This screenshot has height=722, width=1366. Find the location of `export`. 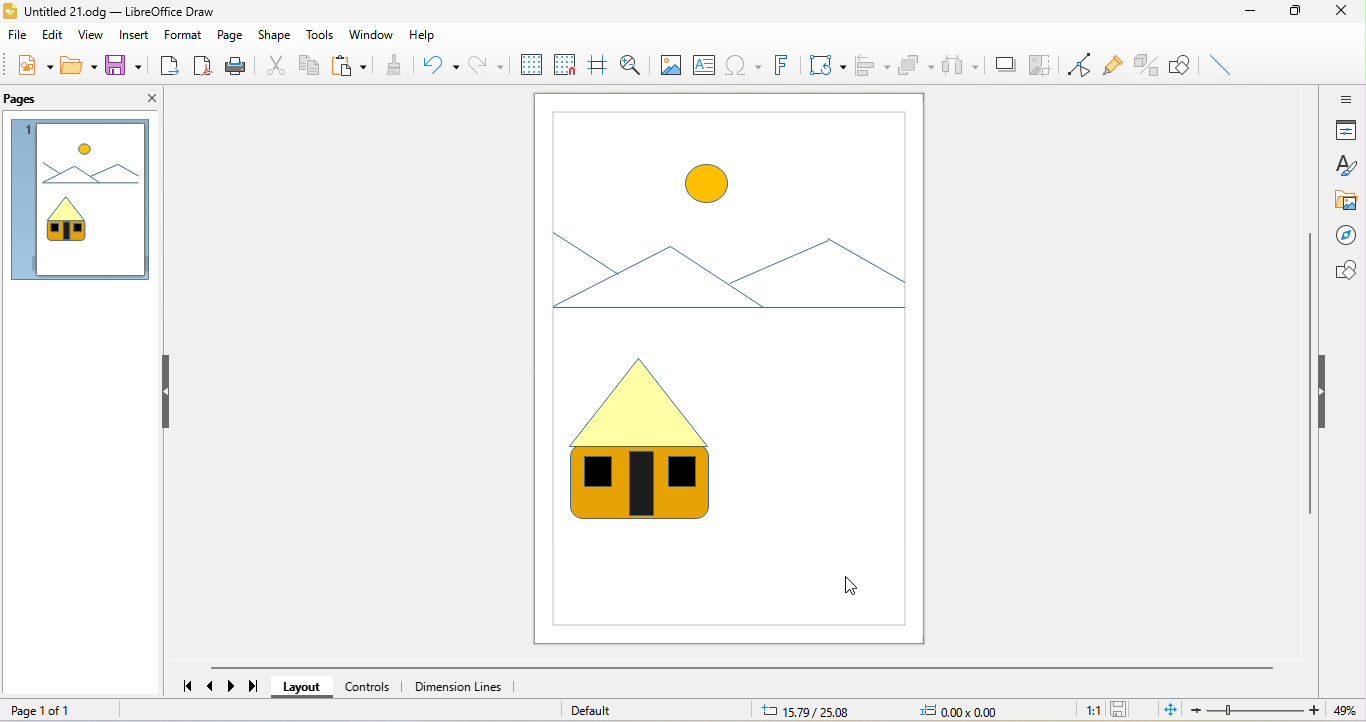

export is located at coordinates (169, 64).